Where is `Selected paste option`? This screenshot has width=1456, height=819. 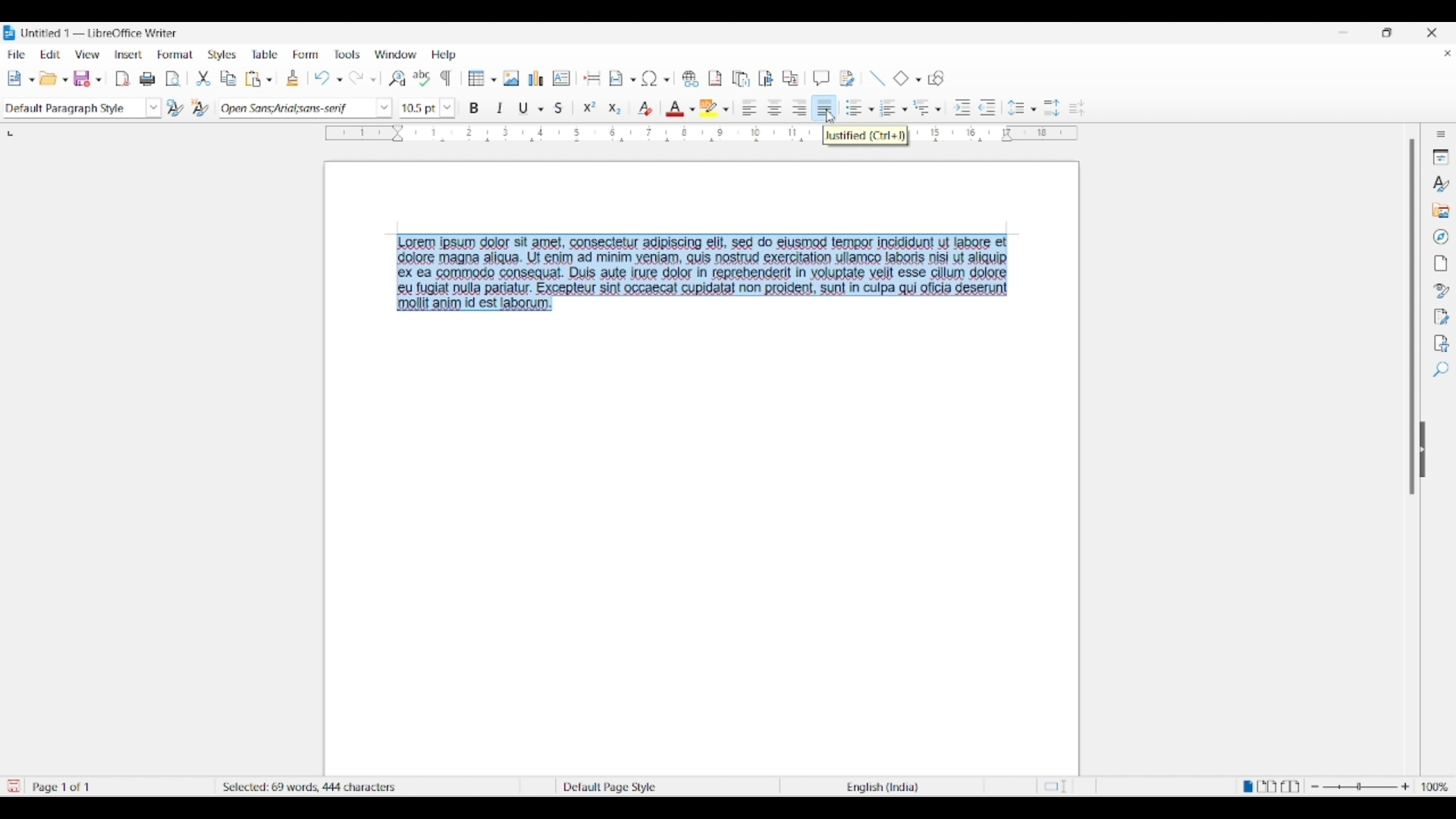
Selected paste option is located at coordinates (253, 78).